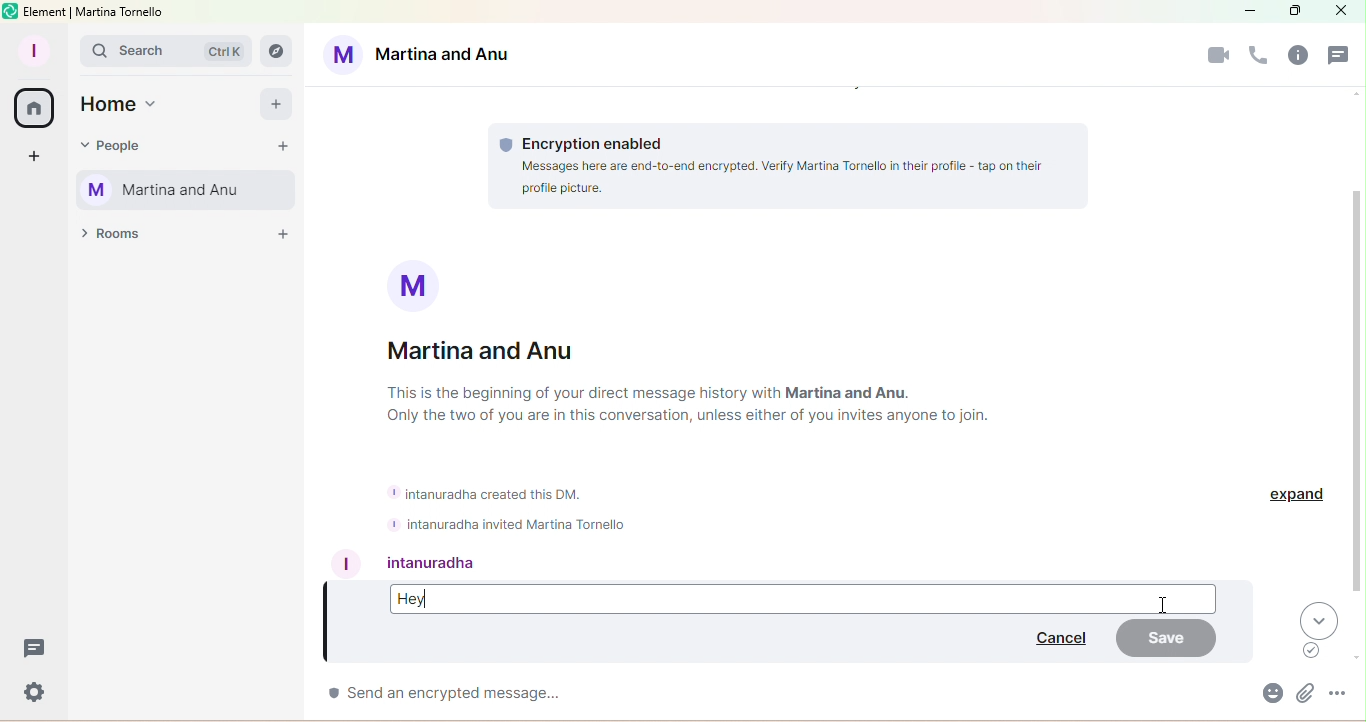 The width and height of the screenshot is (1366, 722). What do you see at coordinates (190, 191) in the screenshot?
I see `Martina Tornello` at bounding box center [190, 191].